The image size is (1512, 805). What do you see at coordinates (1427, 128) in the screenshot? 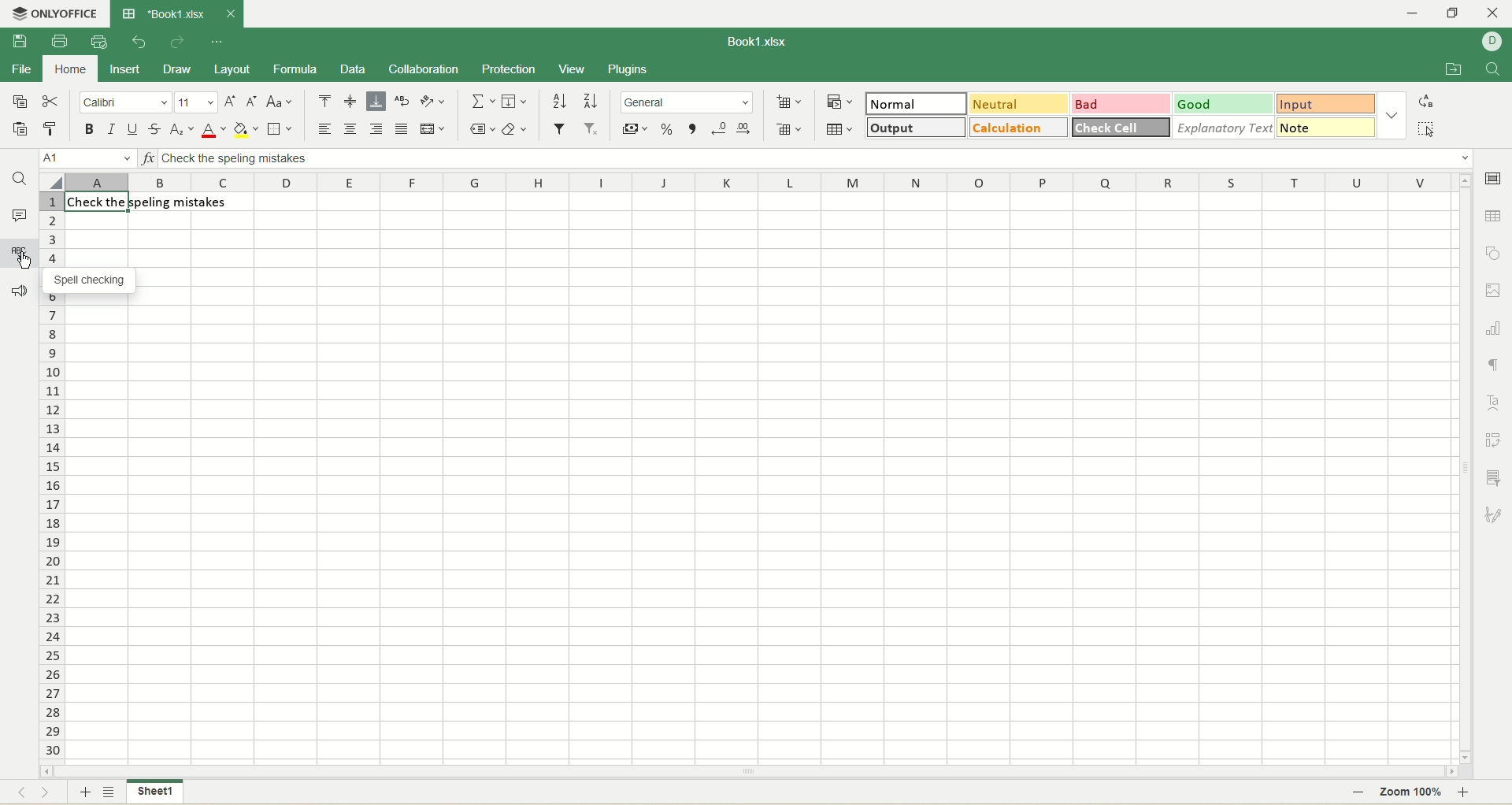
I see `select all` at bounding box center [1427, 128].